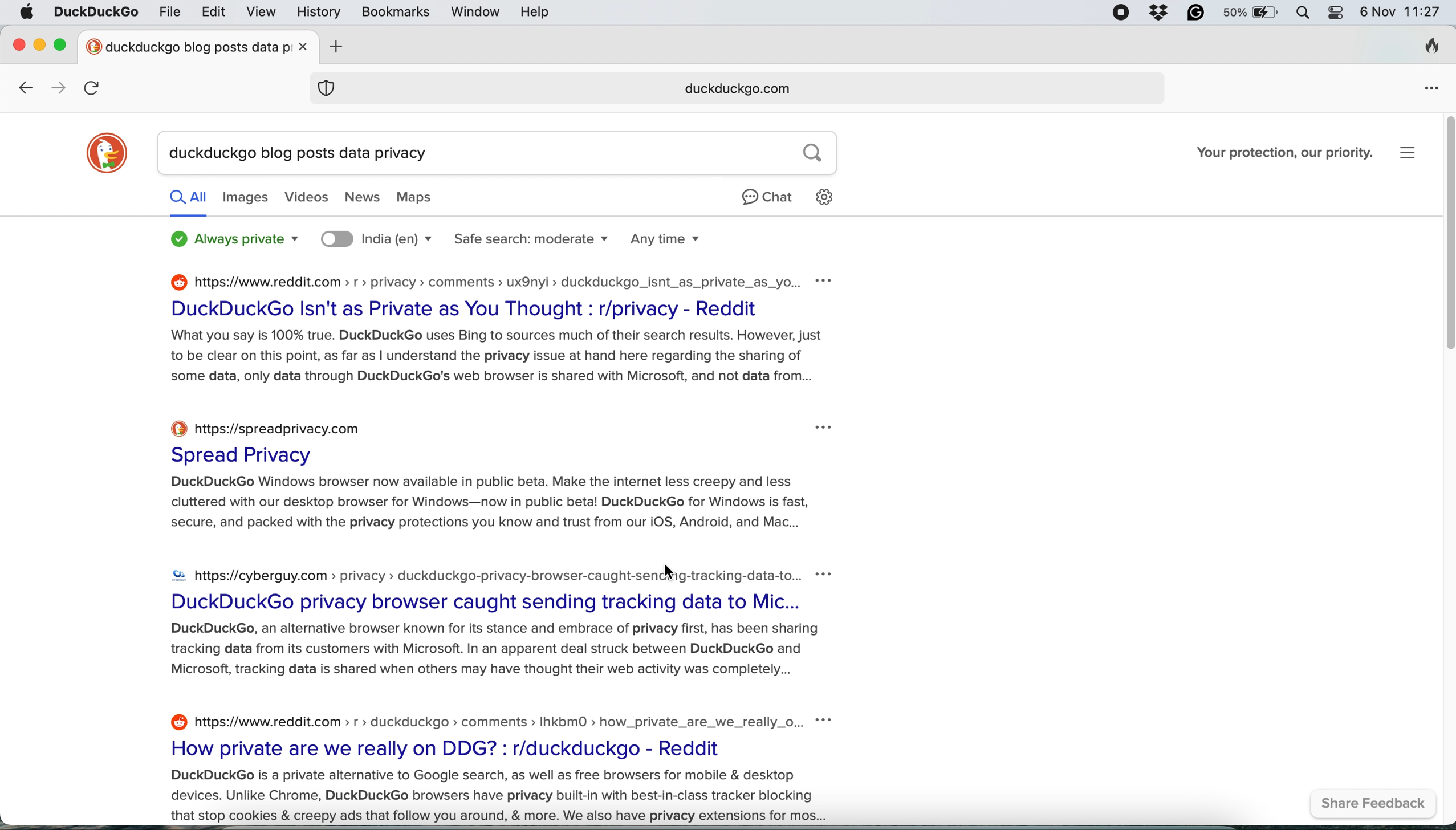 This screenshot has height=830, width=1456. What do you see at coordinates (1402, 11) in the screenshot?
I see `6 Nov 11:26` at bounding box center [1402, 11].